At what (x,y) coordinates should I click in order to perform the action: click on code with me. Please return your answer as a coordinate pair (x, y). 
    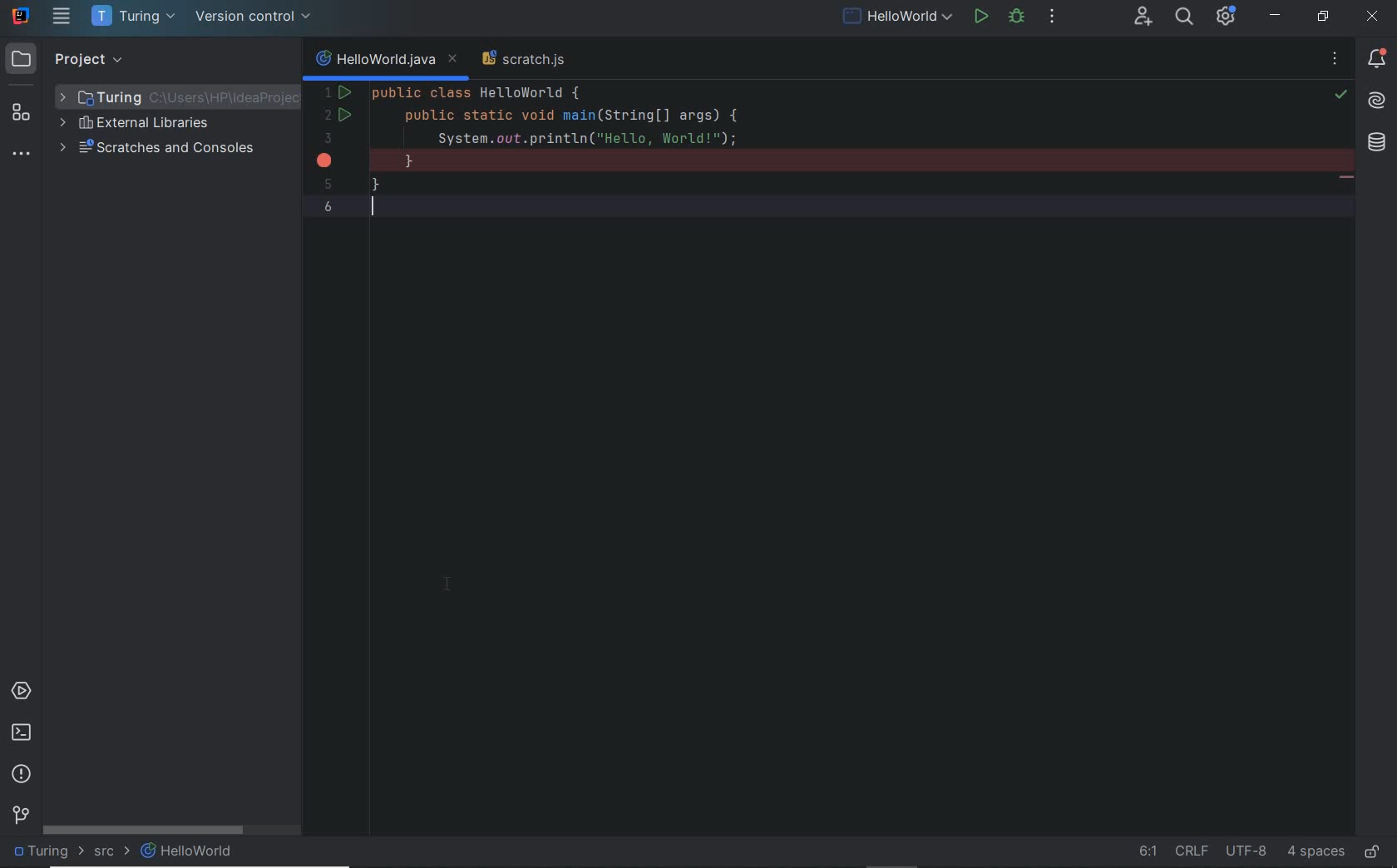
    Looking at the image, I should click on (1144, 16).